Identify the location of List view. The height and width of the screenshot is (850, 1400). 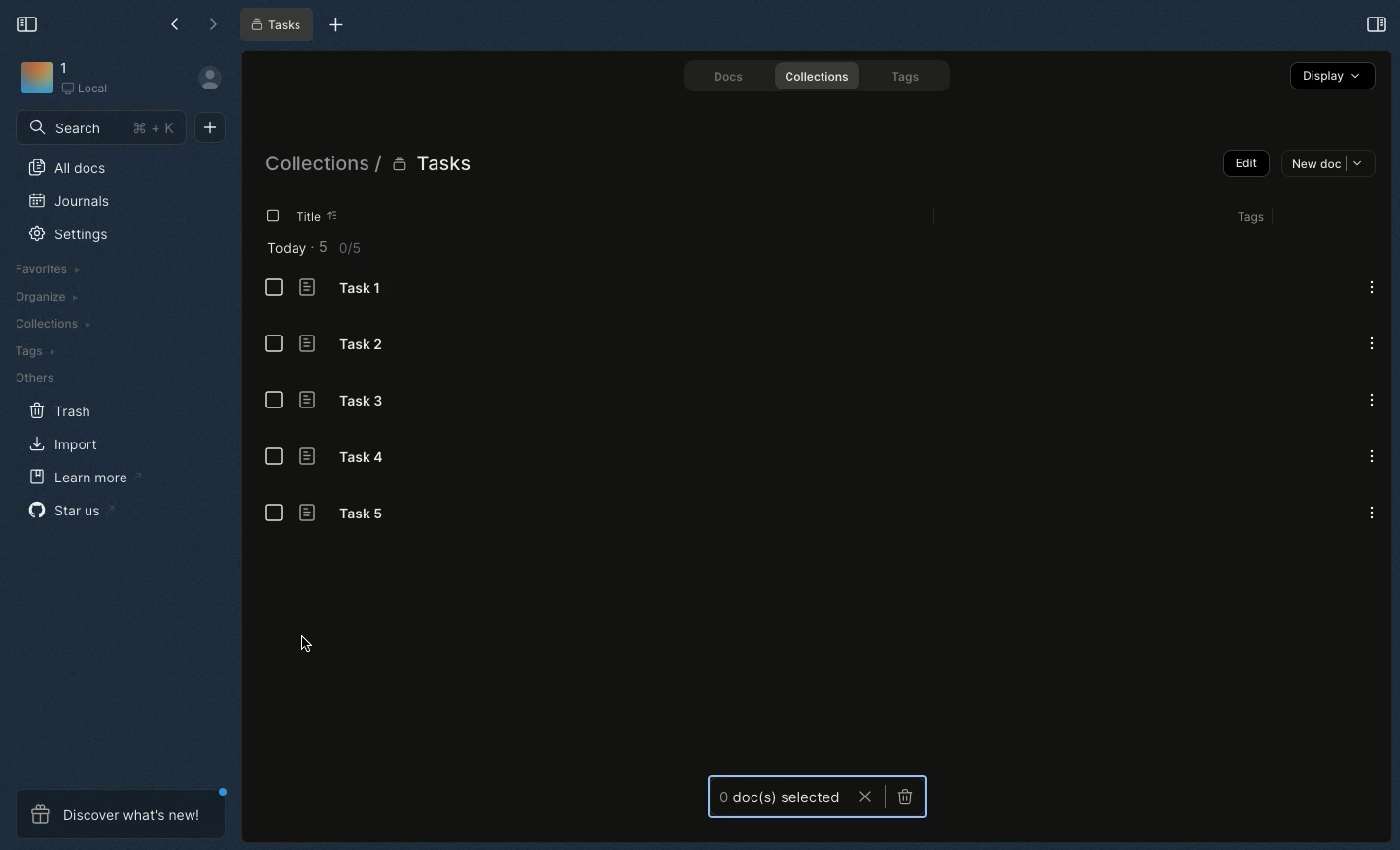
(274, 514).